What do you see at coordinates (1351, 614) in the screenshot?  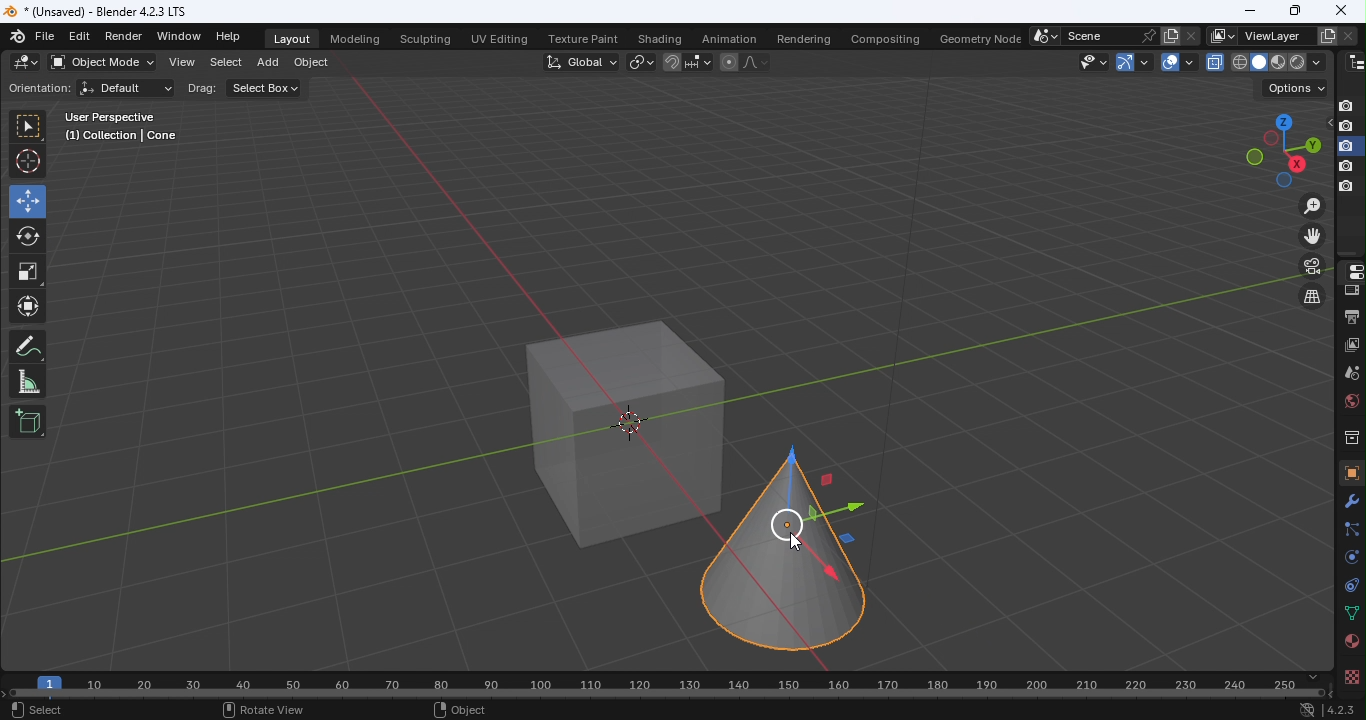 I see `Data` at bounding box center [1351, 614].